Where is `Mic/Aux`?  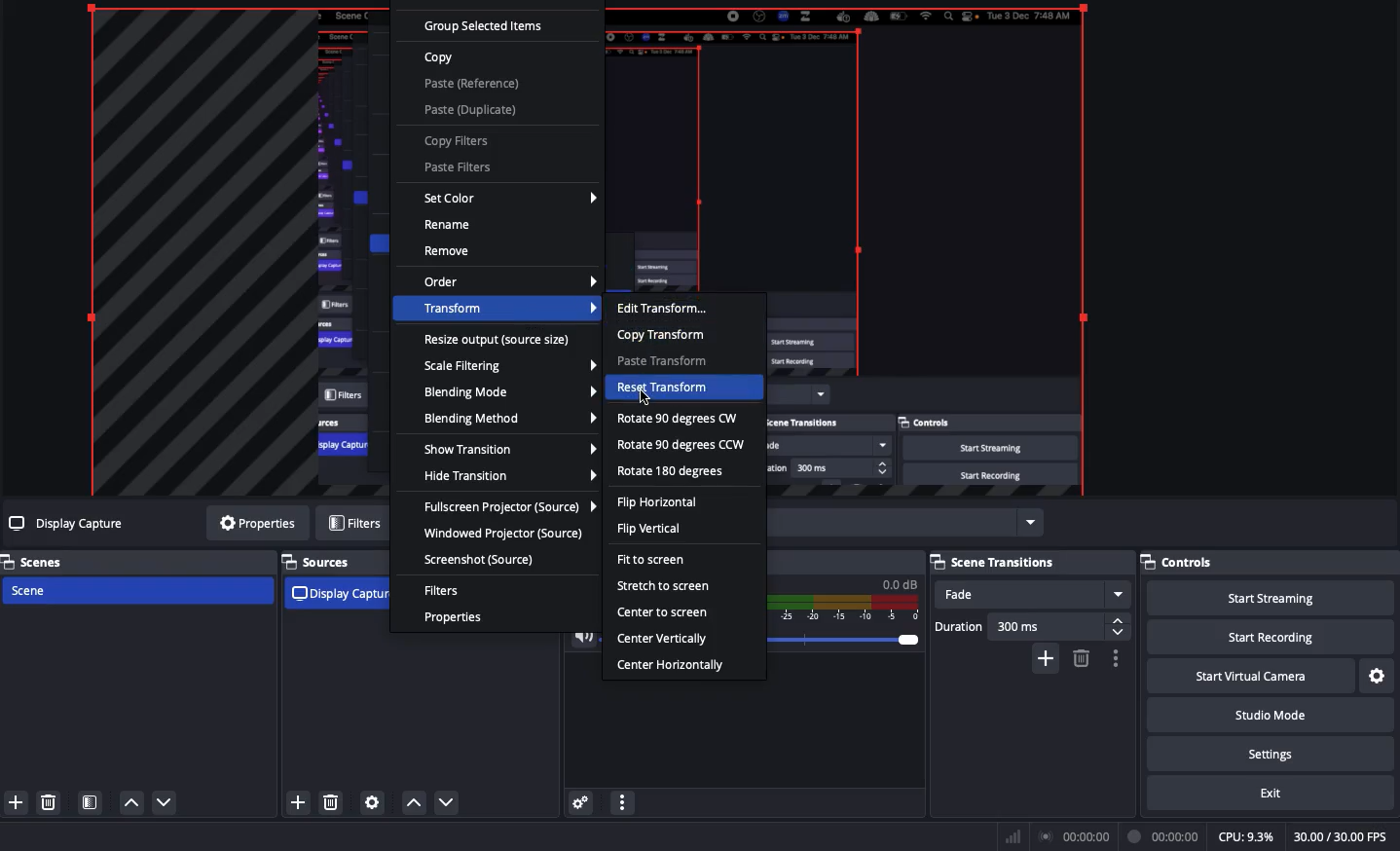 Mic/Aux is located at coordinates (845, 598).